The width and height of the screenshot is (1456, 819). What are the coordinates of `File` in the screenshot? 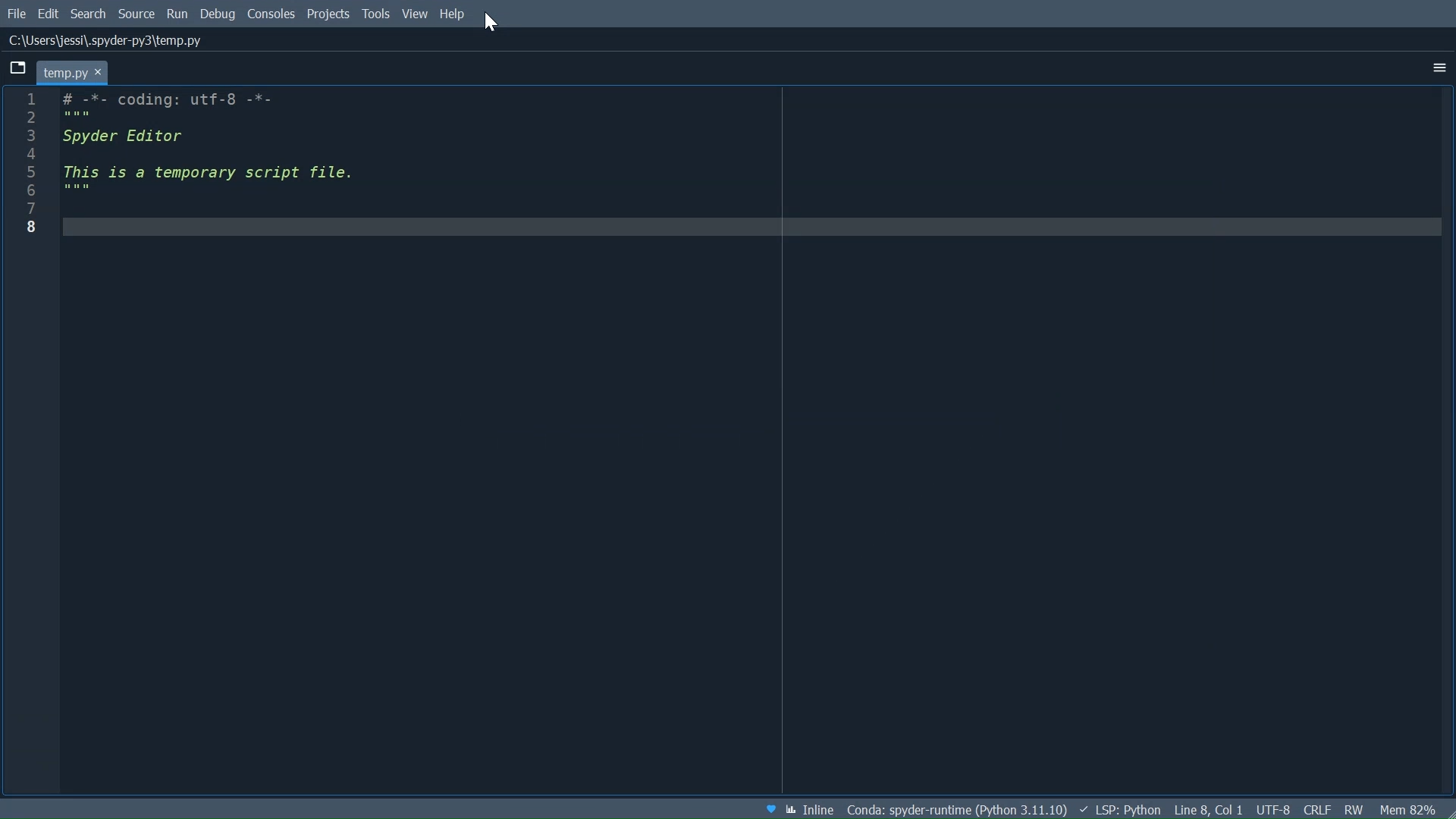 It's located at (16, 14).